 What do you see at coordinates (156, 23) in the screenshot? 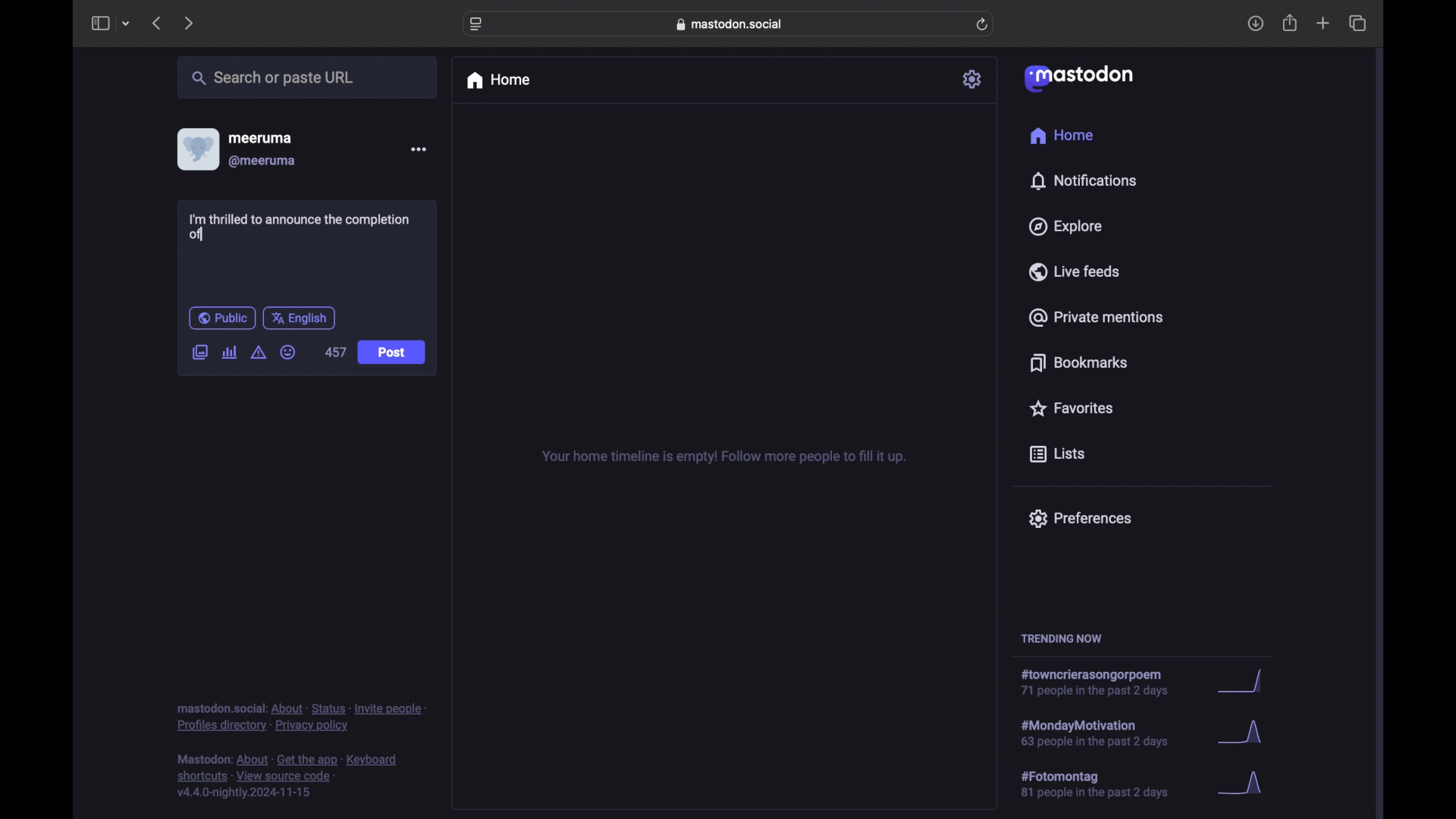
I see `previous` at bounding box center [156, 23].